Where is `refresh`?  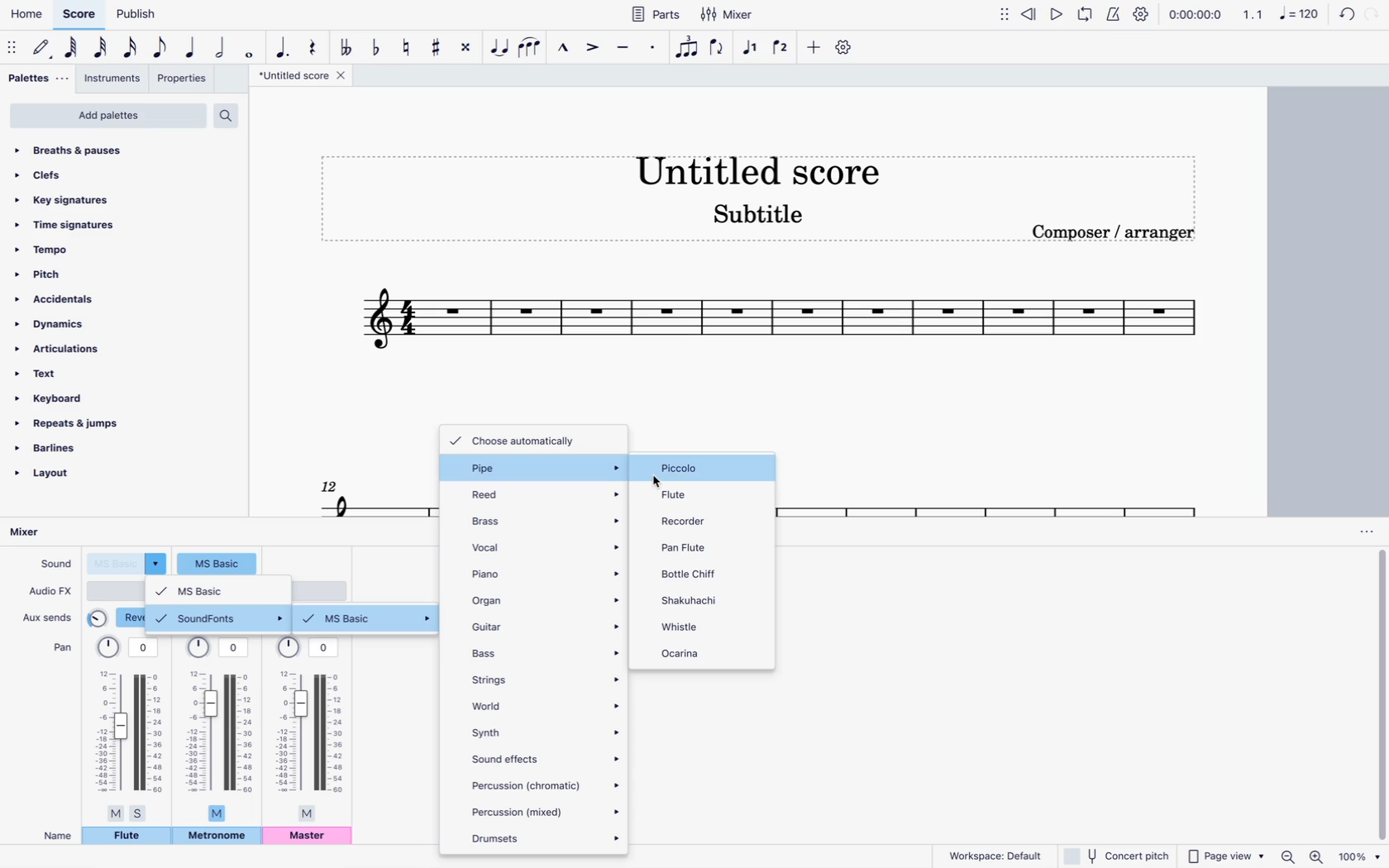
refresh is located at coordinates (1344, 16).